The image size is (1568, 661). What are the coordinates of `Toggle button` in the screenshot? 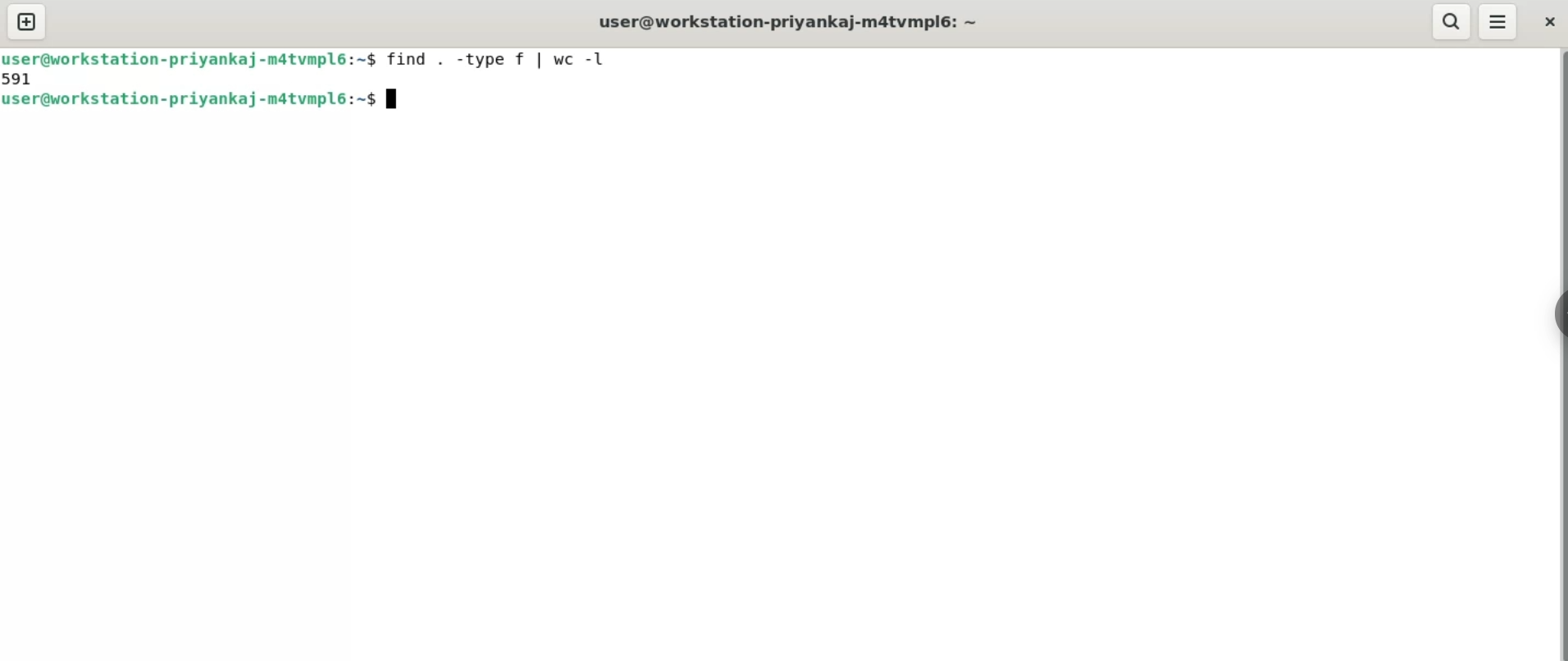 It's located at (1552, 321).